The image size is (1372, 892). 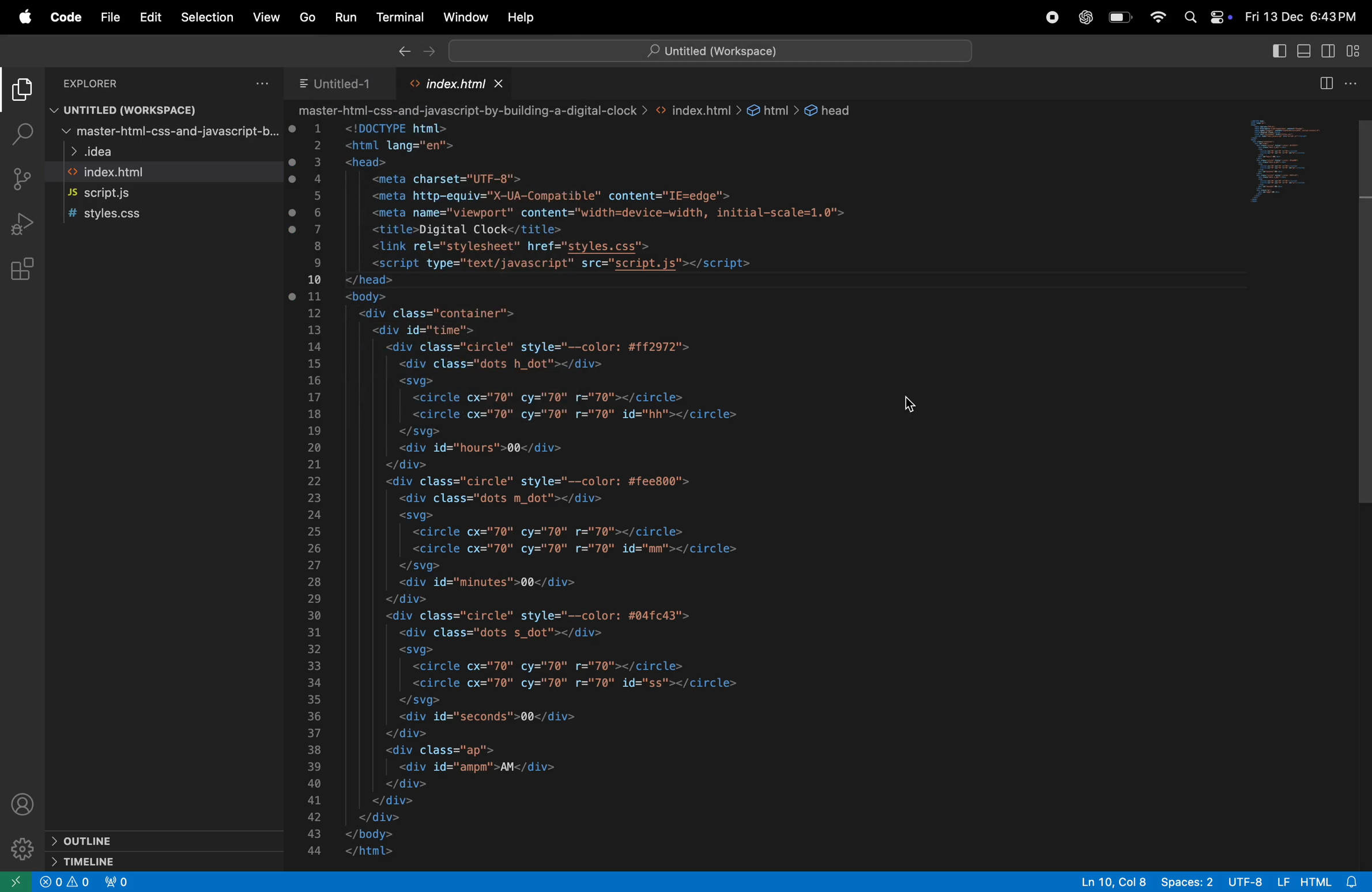 I want to click on options, so click(x=258, y=85).